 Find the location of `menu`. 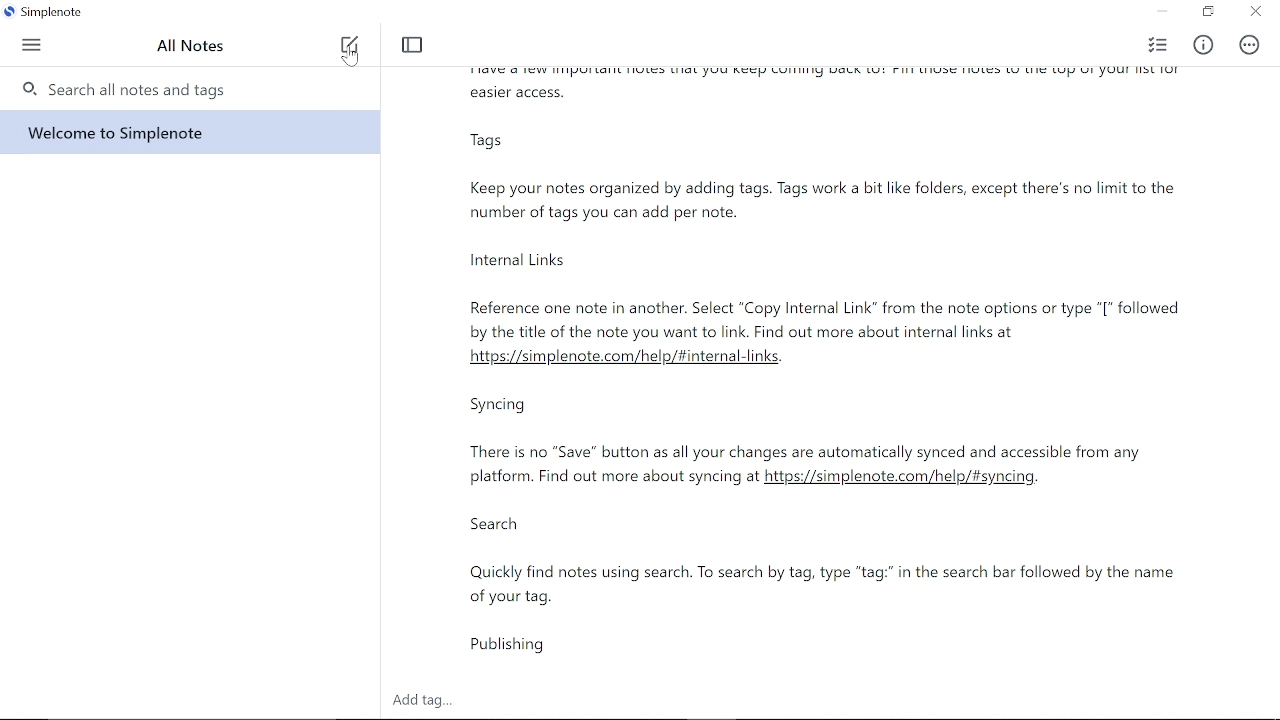

menu is located at coordinates (34, 45).